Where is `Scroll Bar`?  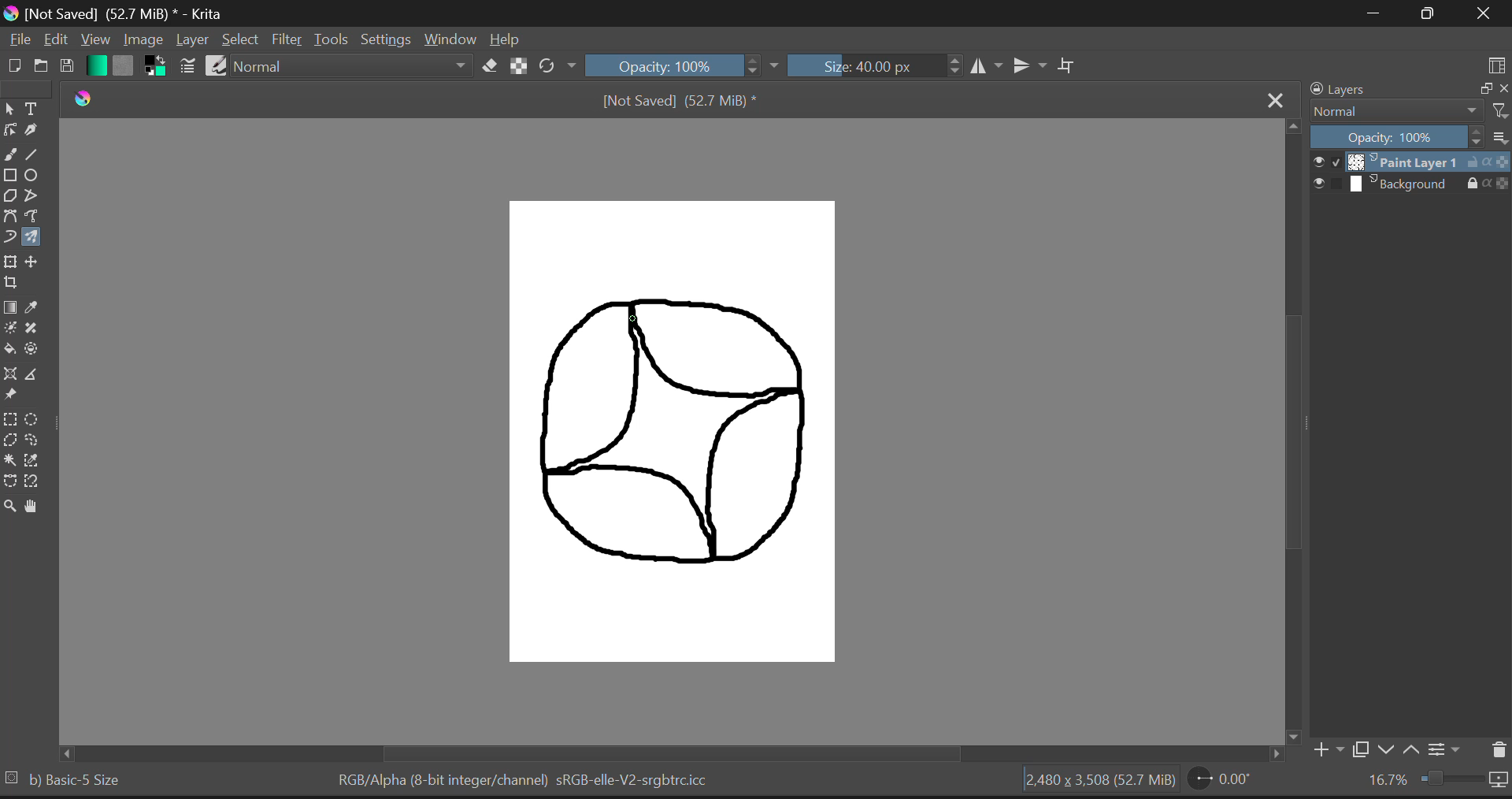
Scroll Bar is located at coordinates (1293, 422).